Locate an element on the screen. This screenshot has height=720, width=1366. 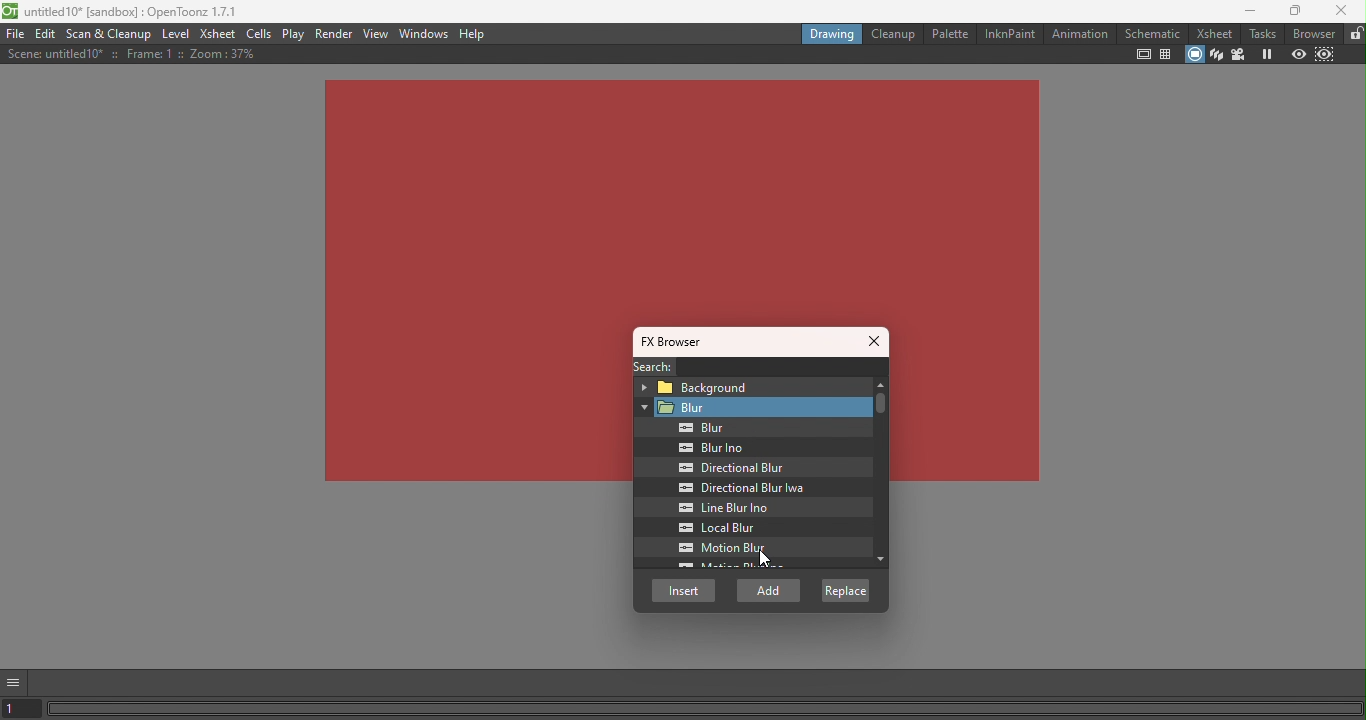
Close is located at coordinates (876, 343).